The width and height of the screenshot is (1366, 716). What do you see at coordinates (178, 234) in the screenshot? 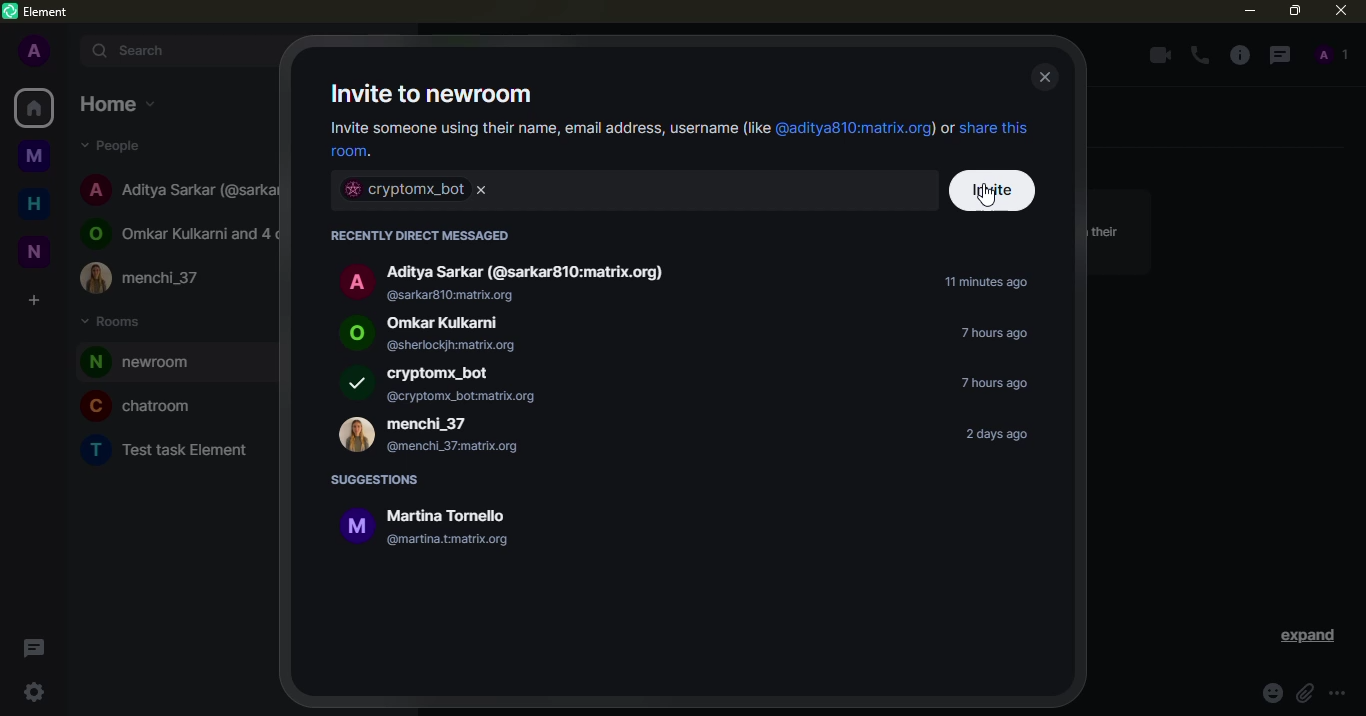
I see `Omkar Kulkarni and 4 others` at bounding box center [178, 234].